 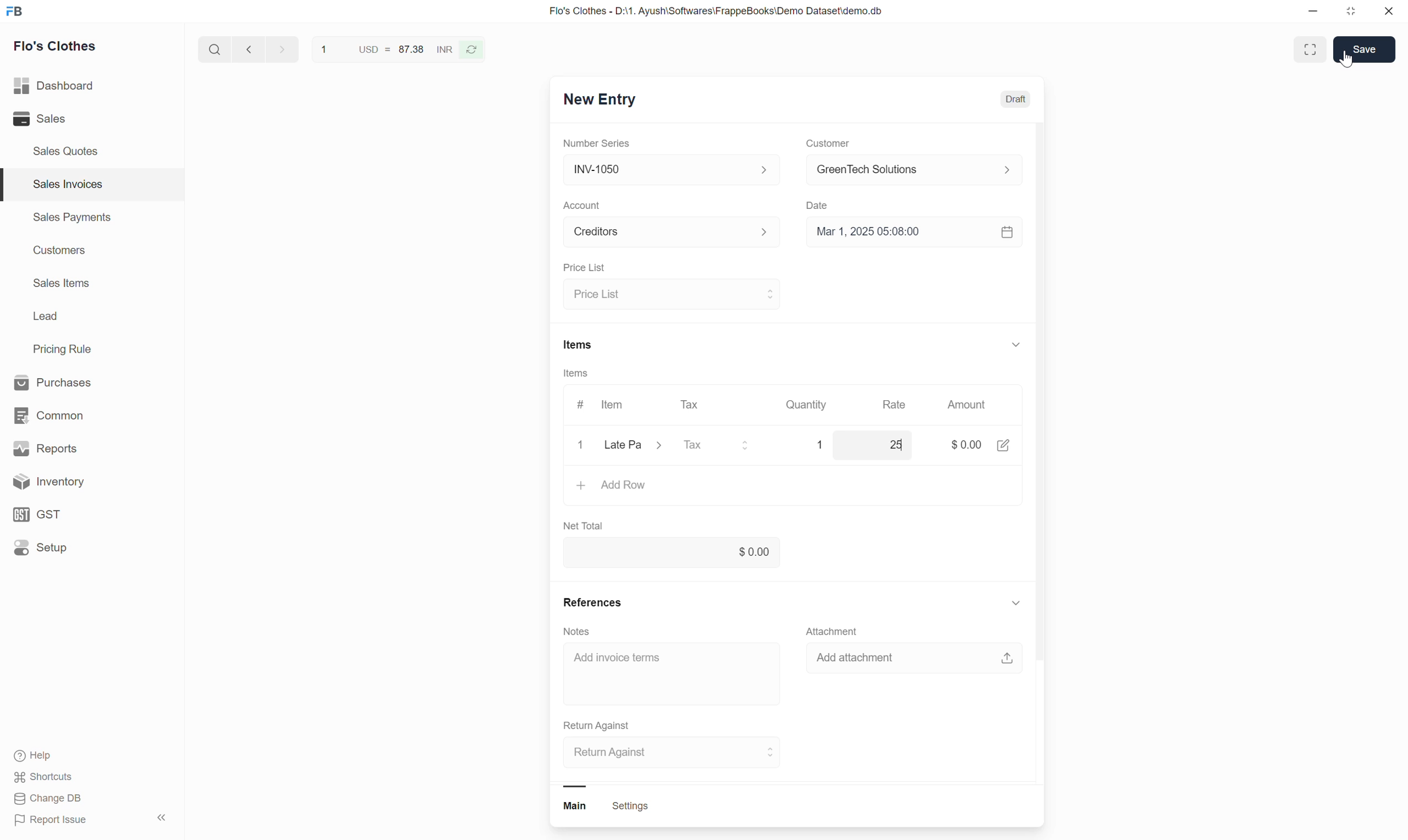 I want to click on settings, so click(x=631, y=808).